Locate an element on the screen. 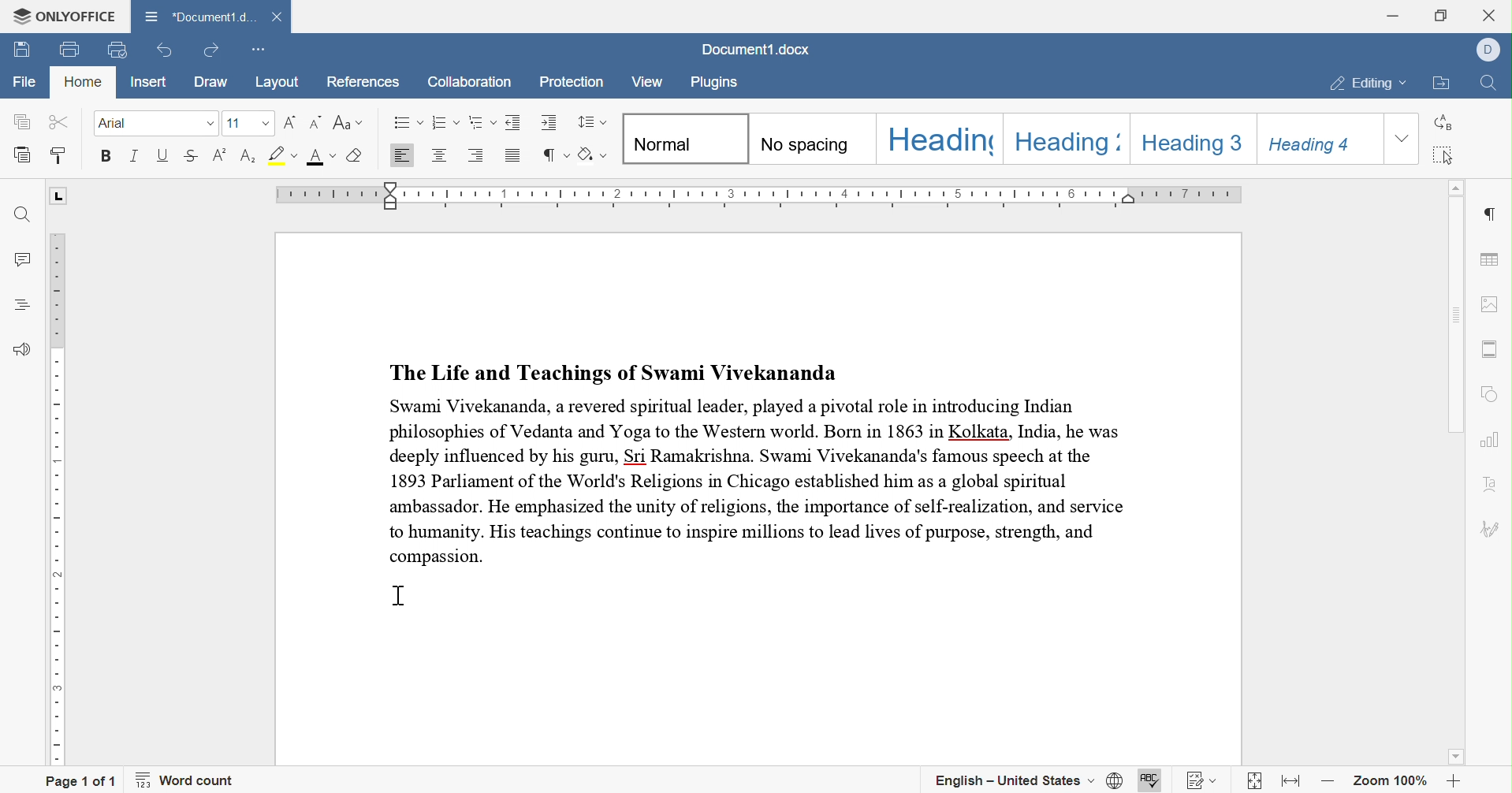 This screenshot has height=793, width=1512. find is located at coordinates (1492, 86).